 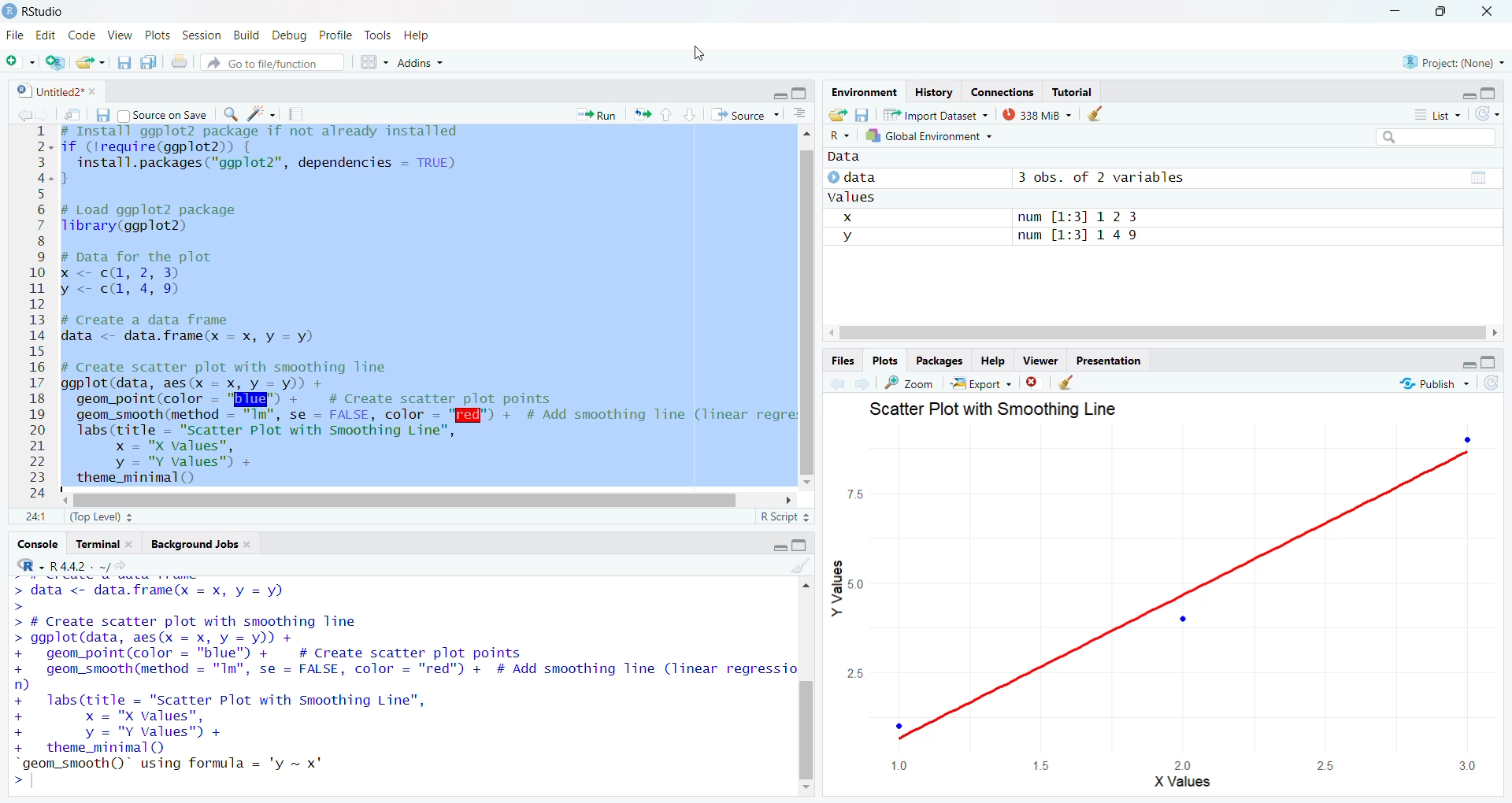 I want to click on Export ~, so click(x=984, y=386).